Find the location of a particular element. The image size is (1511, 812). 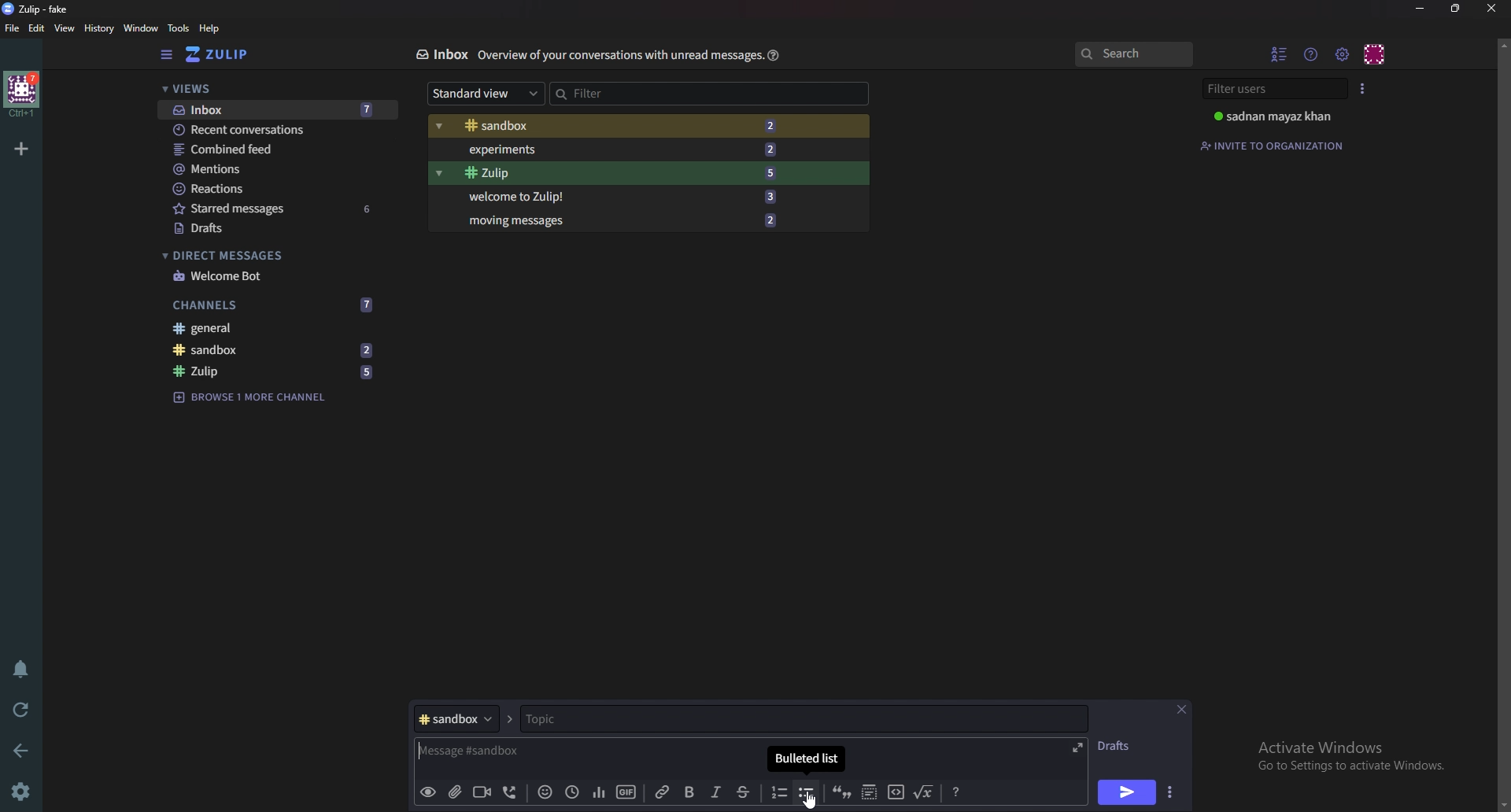

Channel is located at coordinates (456, 718).